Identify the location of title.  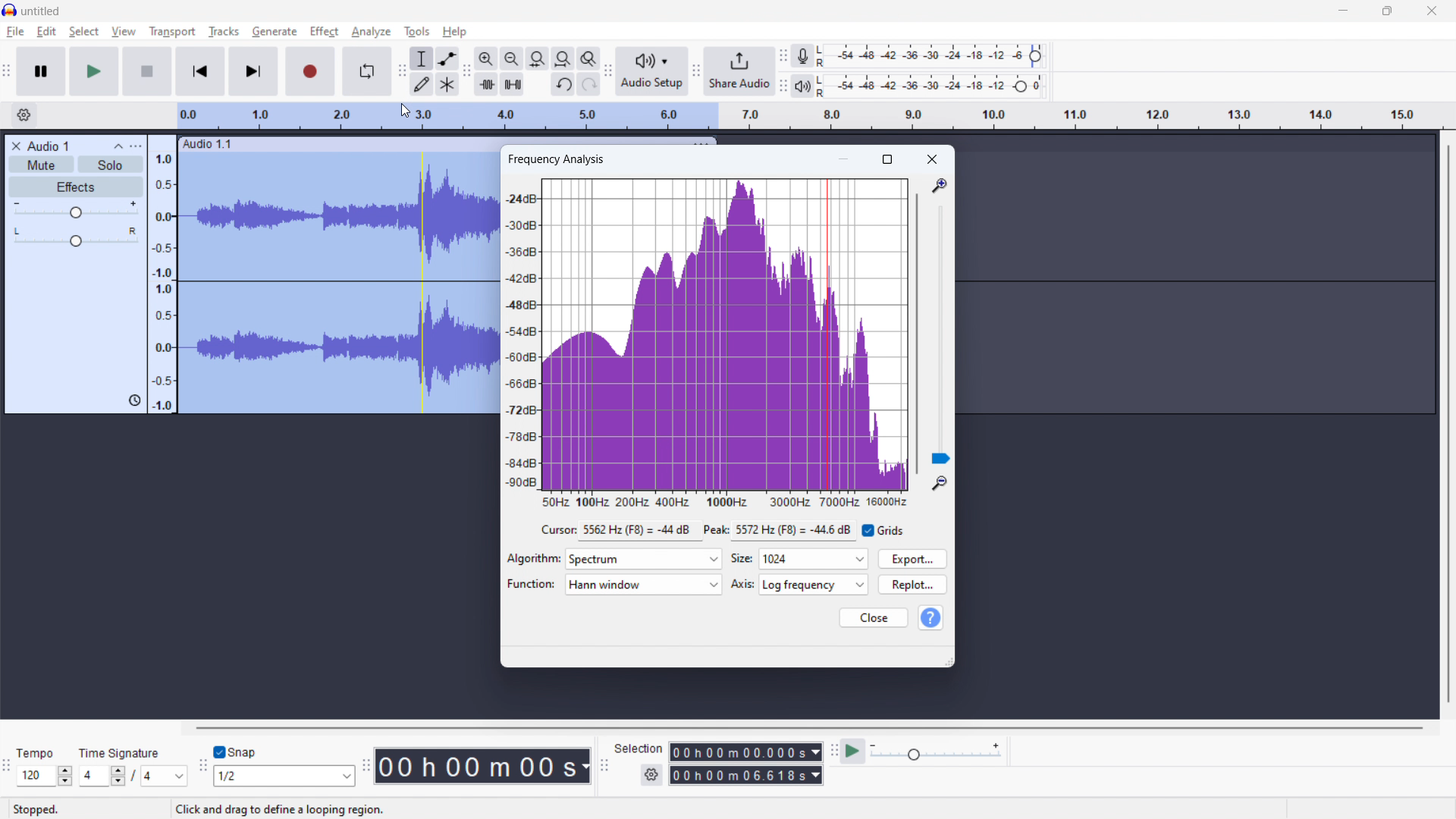
(41, 11).